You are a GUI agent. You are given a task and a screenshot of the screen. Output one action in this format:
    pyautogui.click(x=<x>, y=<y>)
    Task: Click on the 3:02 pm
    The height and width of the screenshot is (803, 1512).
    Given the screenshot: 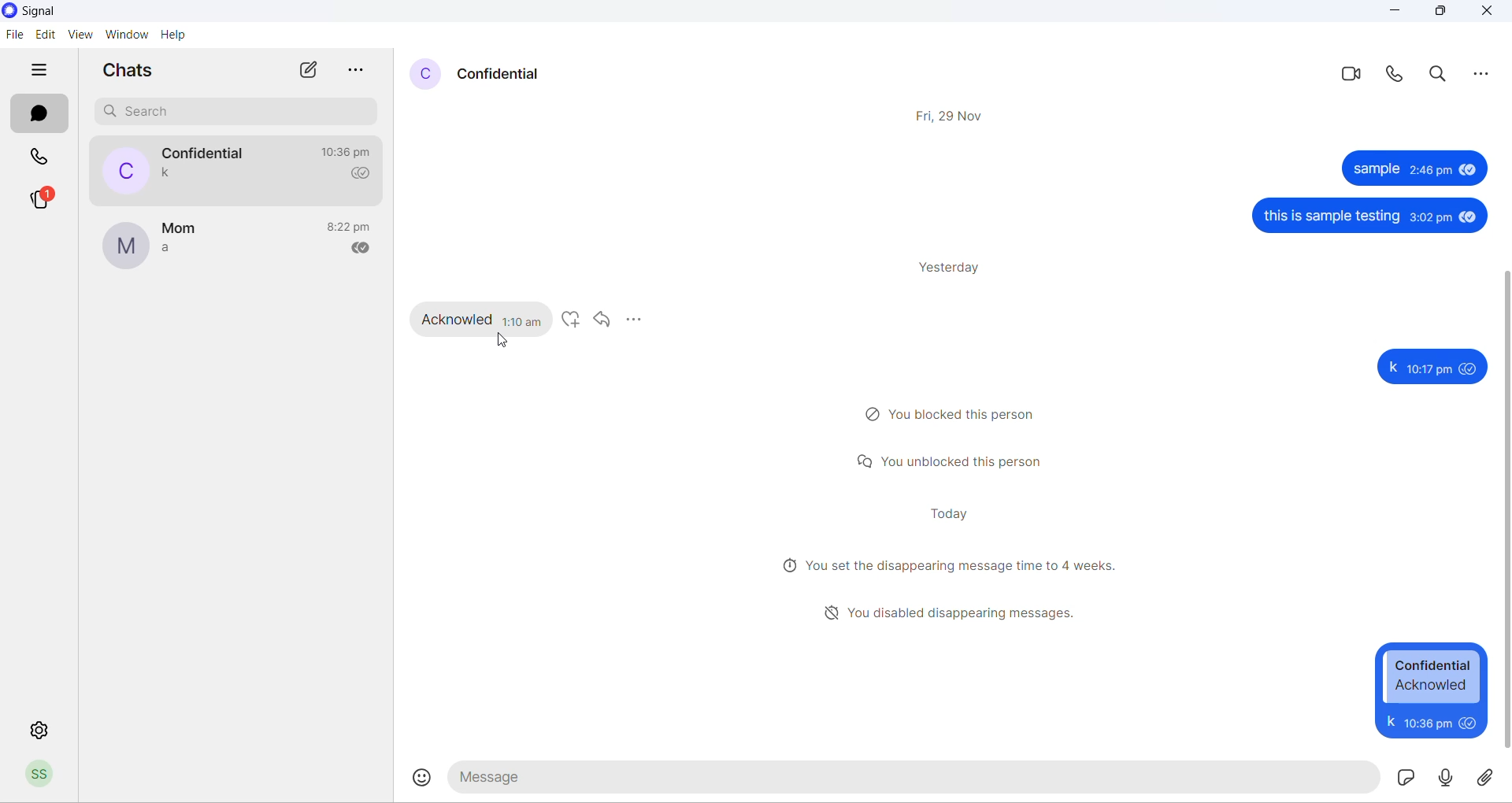 What is the action you would take?
    pyautogui.click(x=1430, y=218)
    